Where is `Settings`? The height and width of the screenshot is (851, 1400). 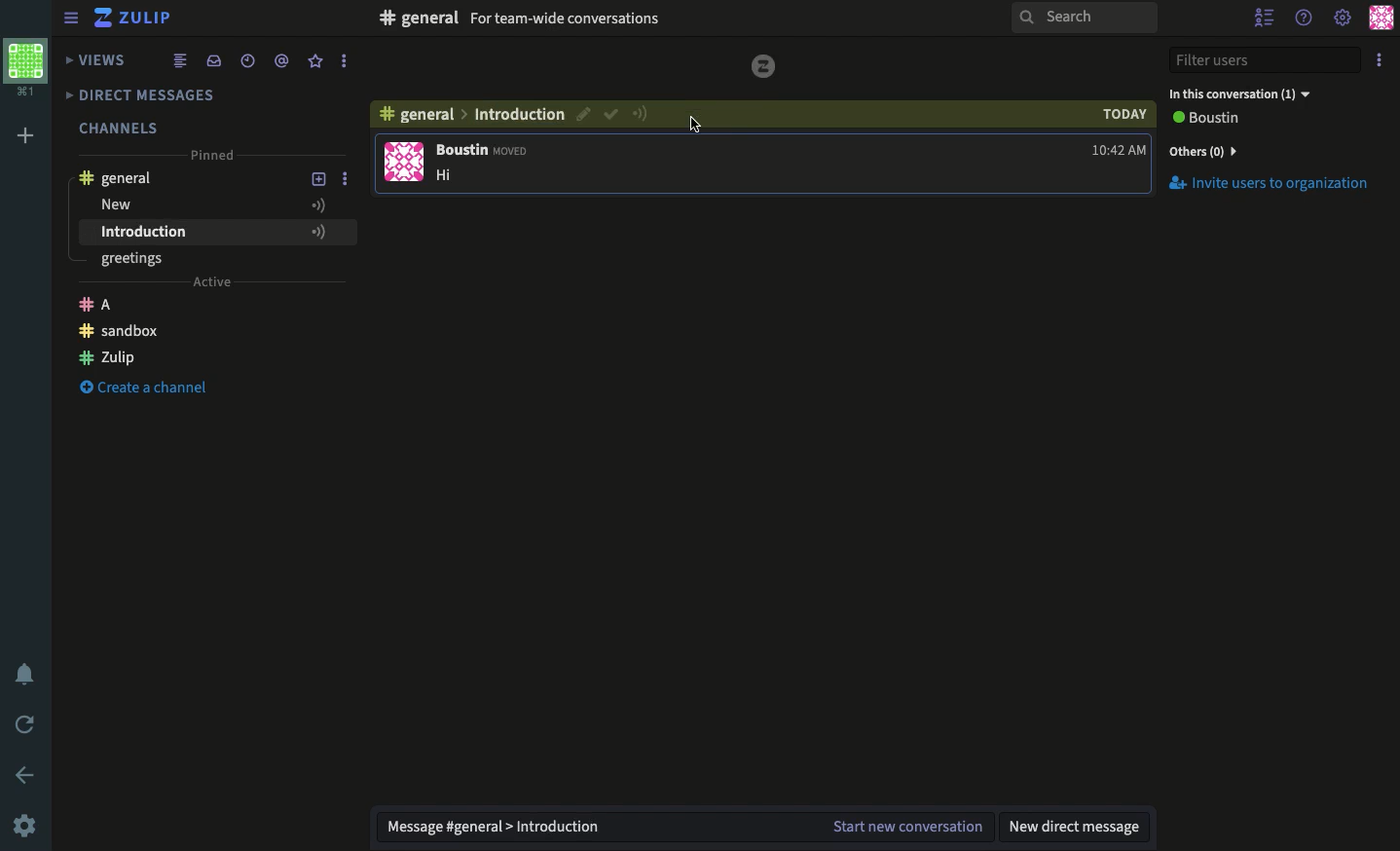 Settings is located at coordinates (1343, 19).